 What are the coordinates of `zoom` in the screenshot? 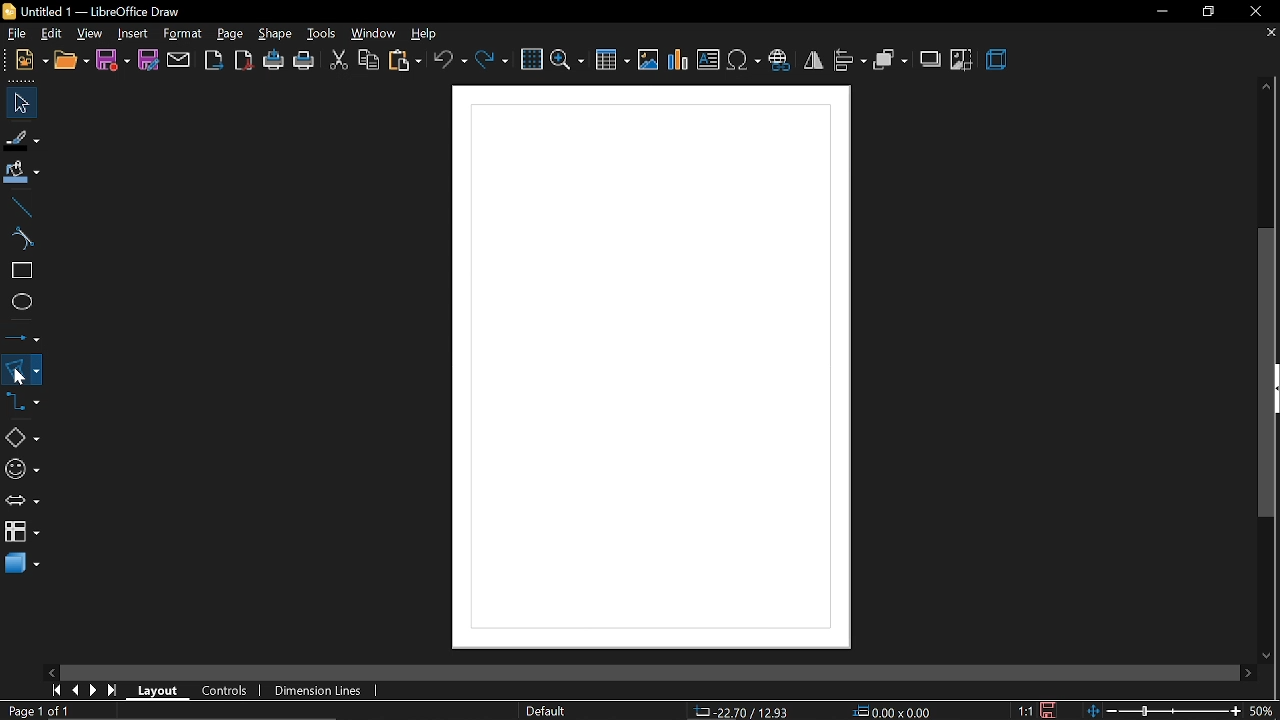 It's located at (569, 58).